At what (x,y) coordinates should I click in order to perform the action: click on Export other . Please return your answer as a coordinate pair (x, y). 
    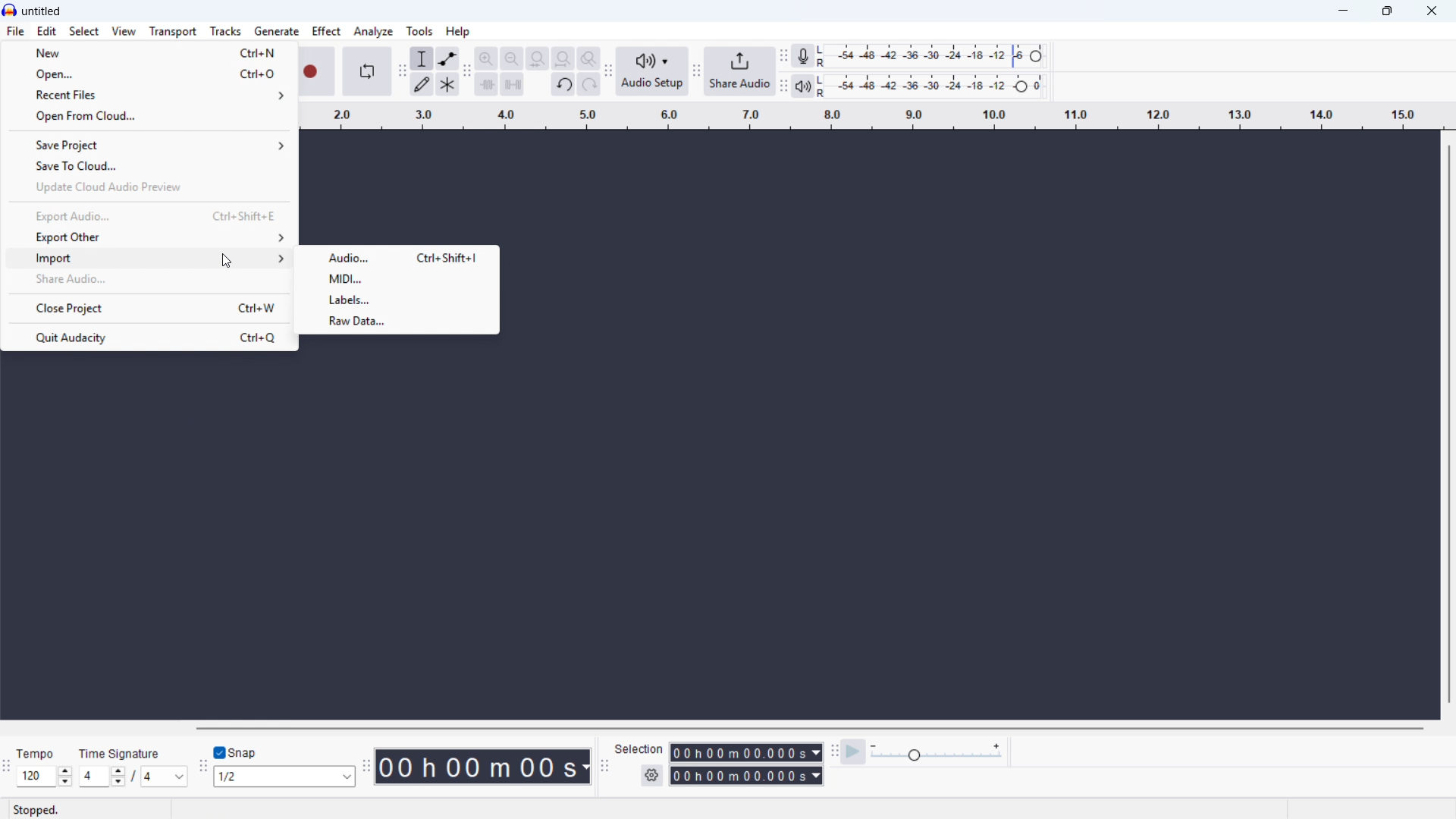
    Looking at the image, I should click on (146, 237).